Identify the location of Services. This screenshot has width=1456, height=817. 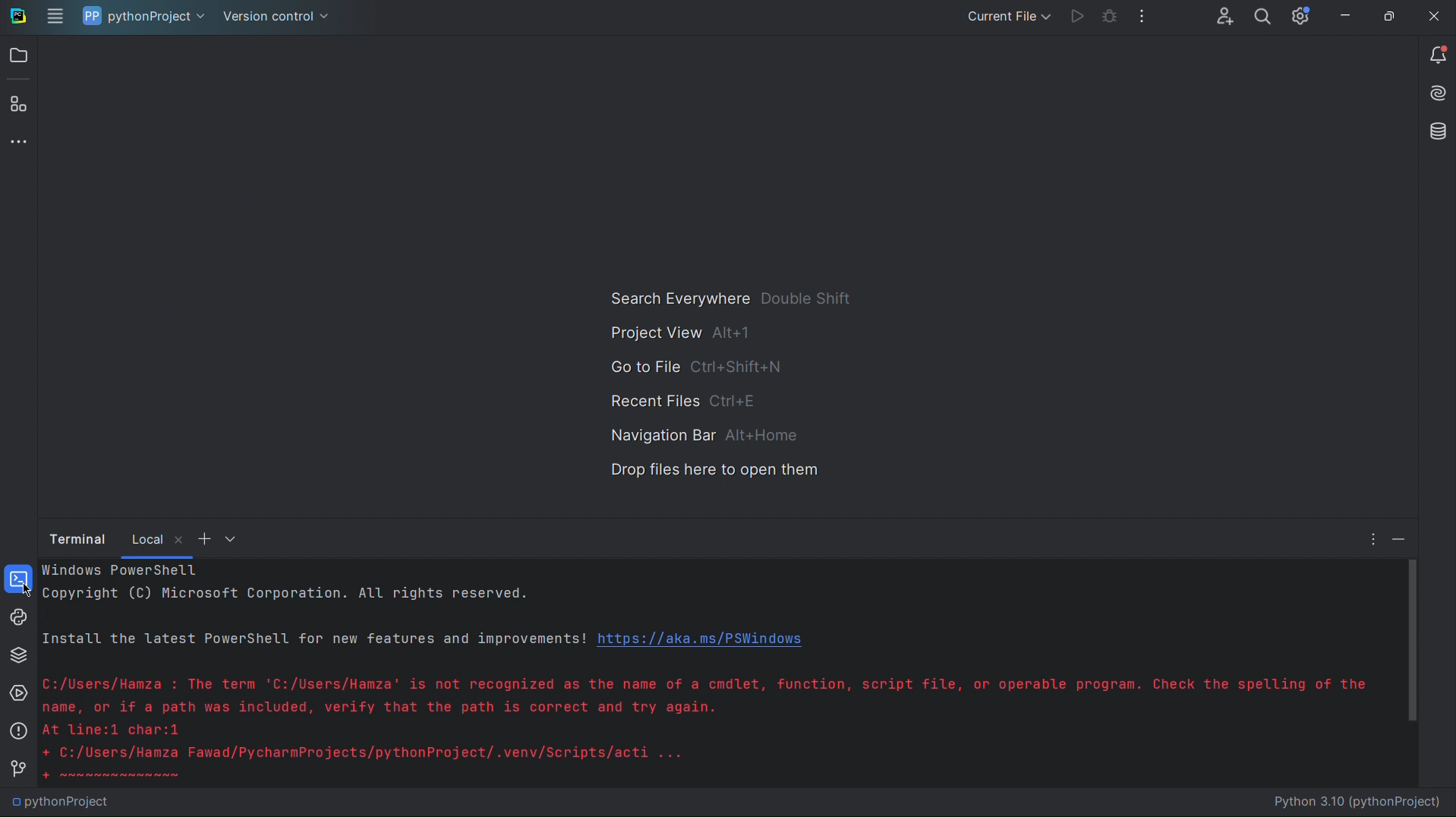
(20, 693).